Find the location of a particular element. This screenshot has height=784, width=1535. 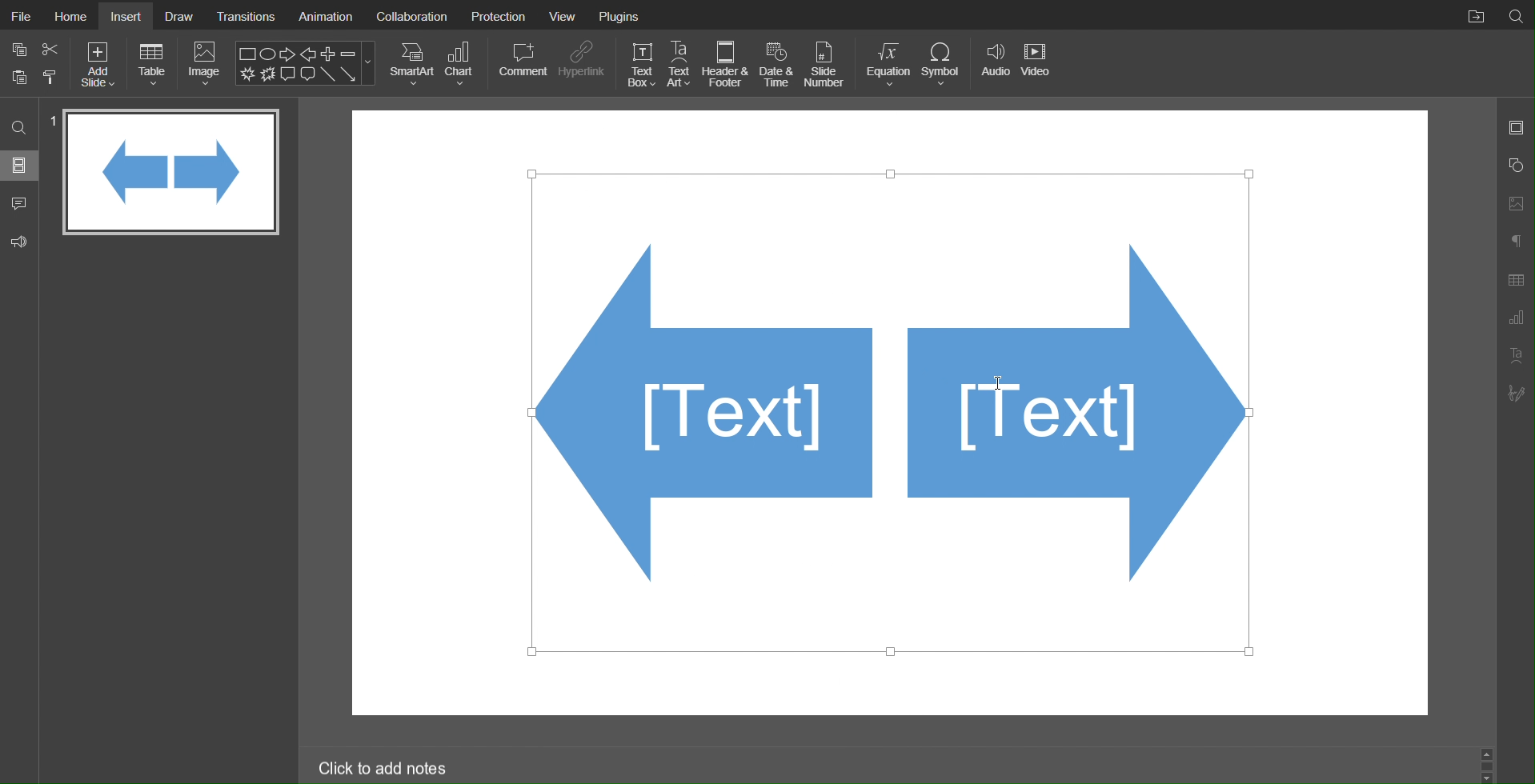

Slides is located at coordinates (21, 166).